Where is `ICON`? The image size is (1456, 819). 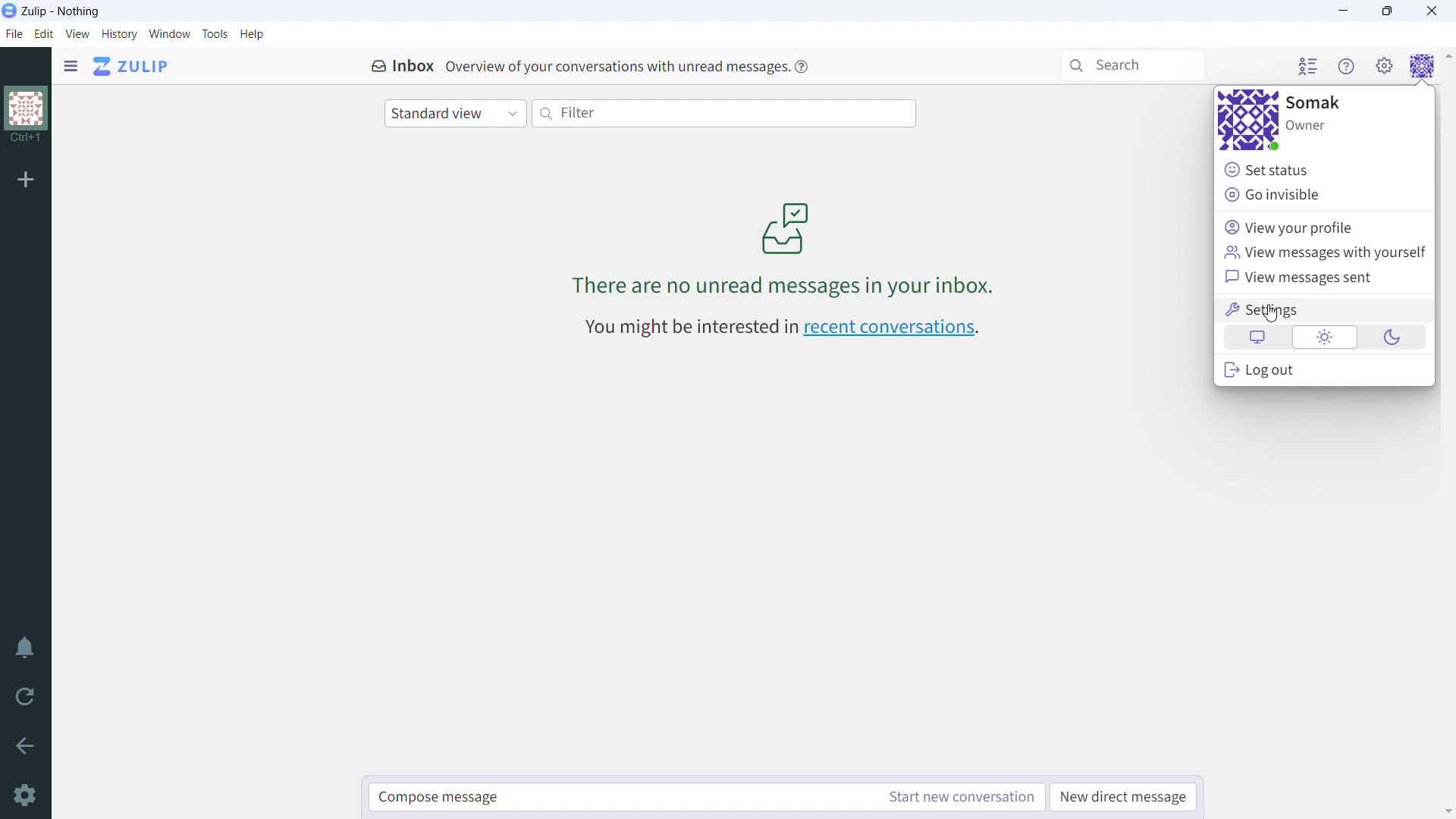
ICON is located at coordinates (783, 227).